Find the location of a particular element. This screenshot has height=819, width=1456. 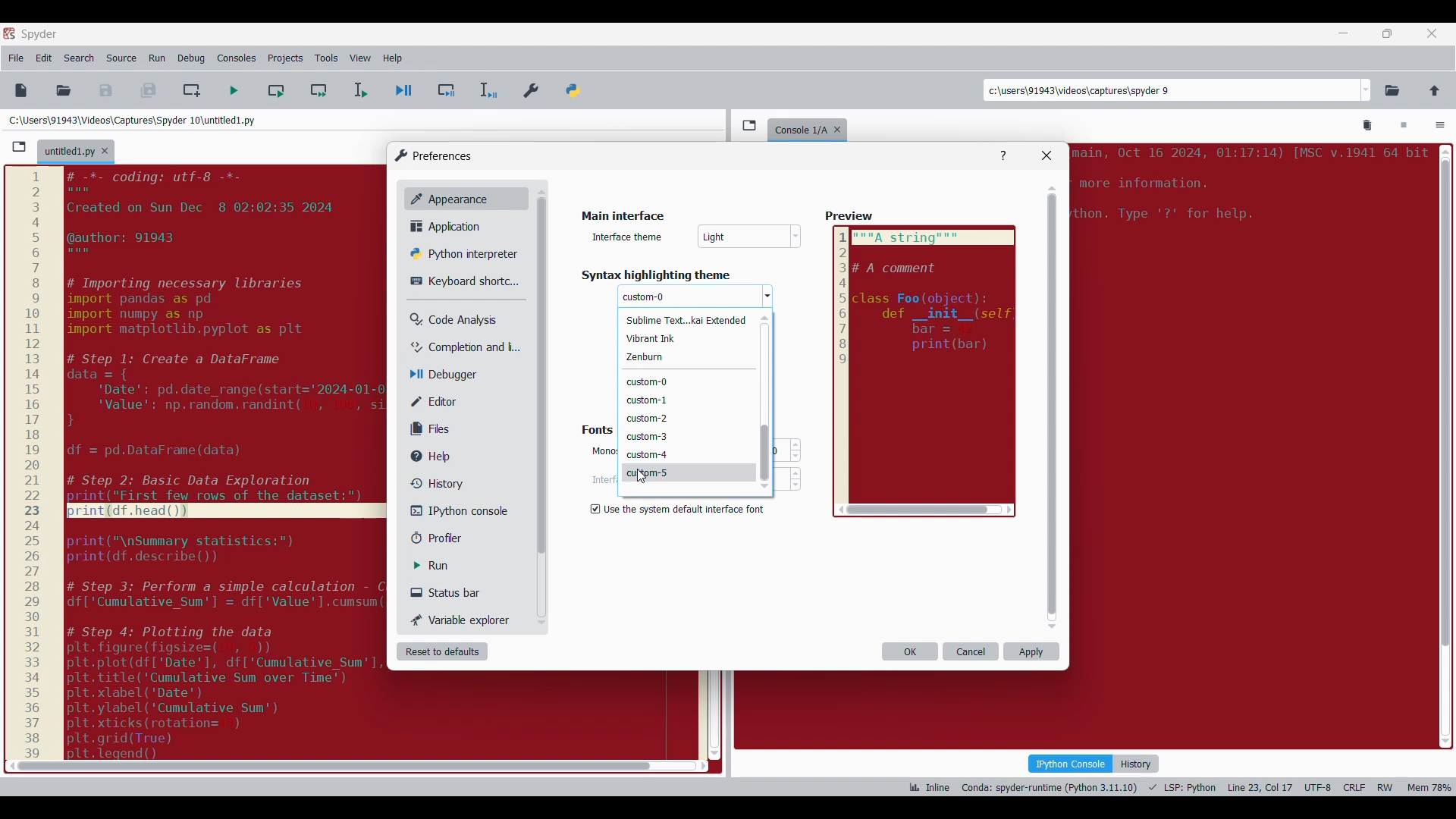

Vertical slide bar is located at coordinates (764, 401).